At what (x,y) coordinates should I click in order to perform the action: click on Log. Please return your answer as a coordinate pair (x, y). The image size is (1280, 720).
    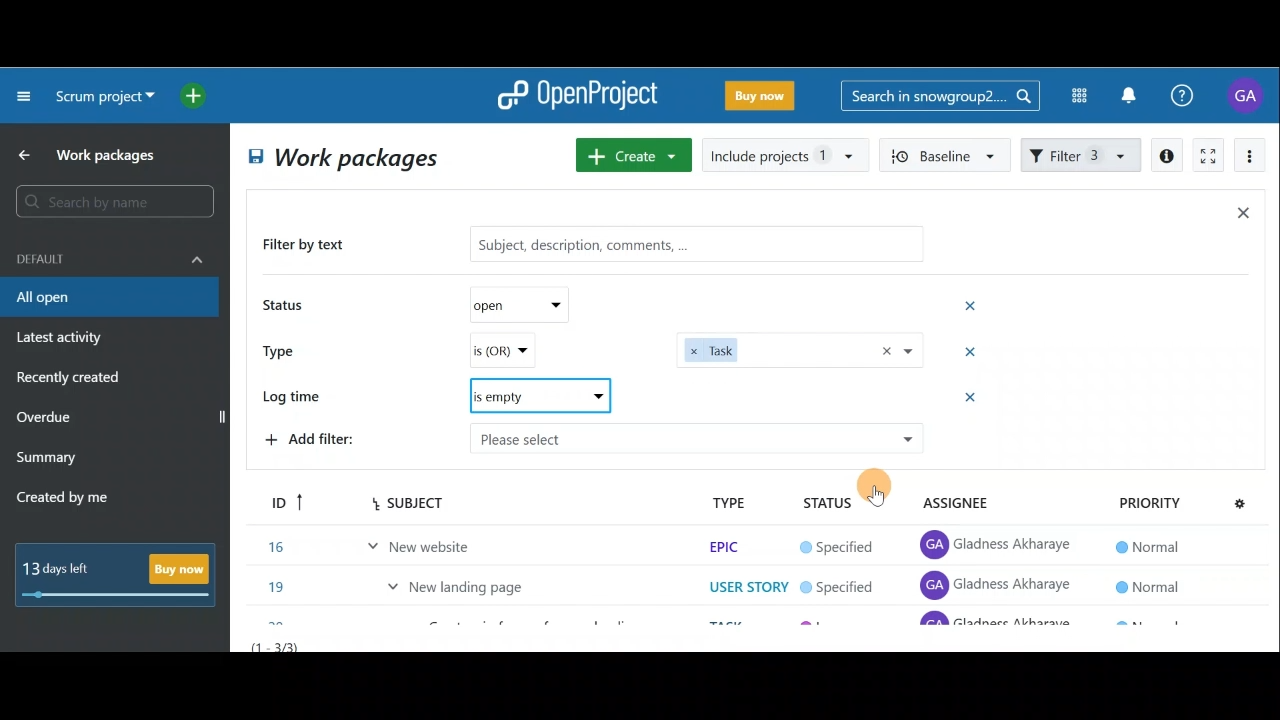
    Looking at the image, I should click on (537, 392).